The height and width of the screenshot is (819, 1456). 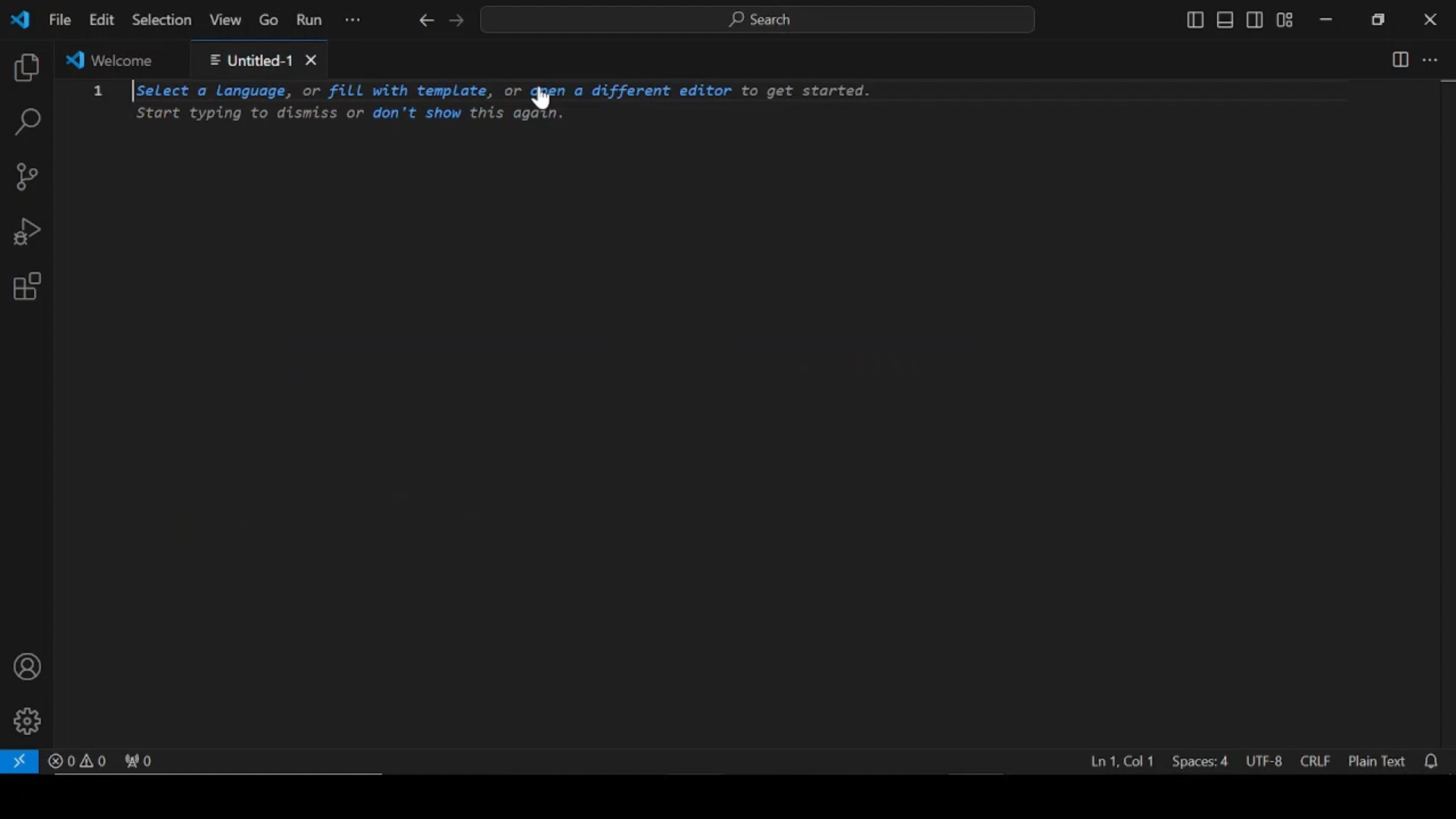 What do you see at coordinates (1200, 760) in the screenshot?
I see `spaces: 4` at bounding box center [1200, 760].